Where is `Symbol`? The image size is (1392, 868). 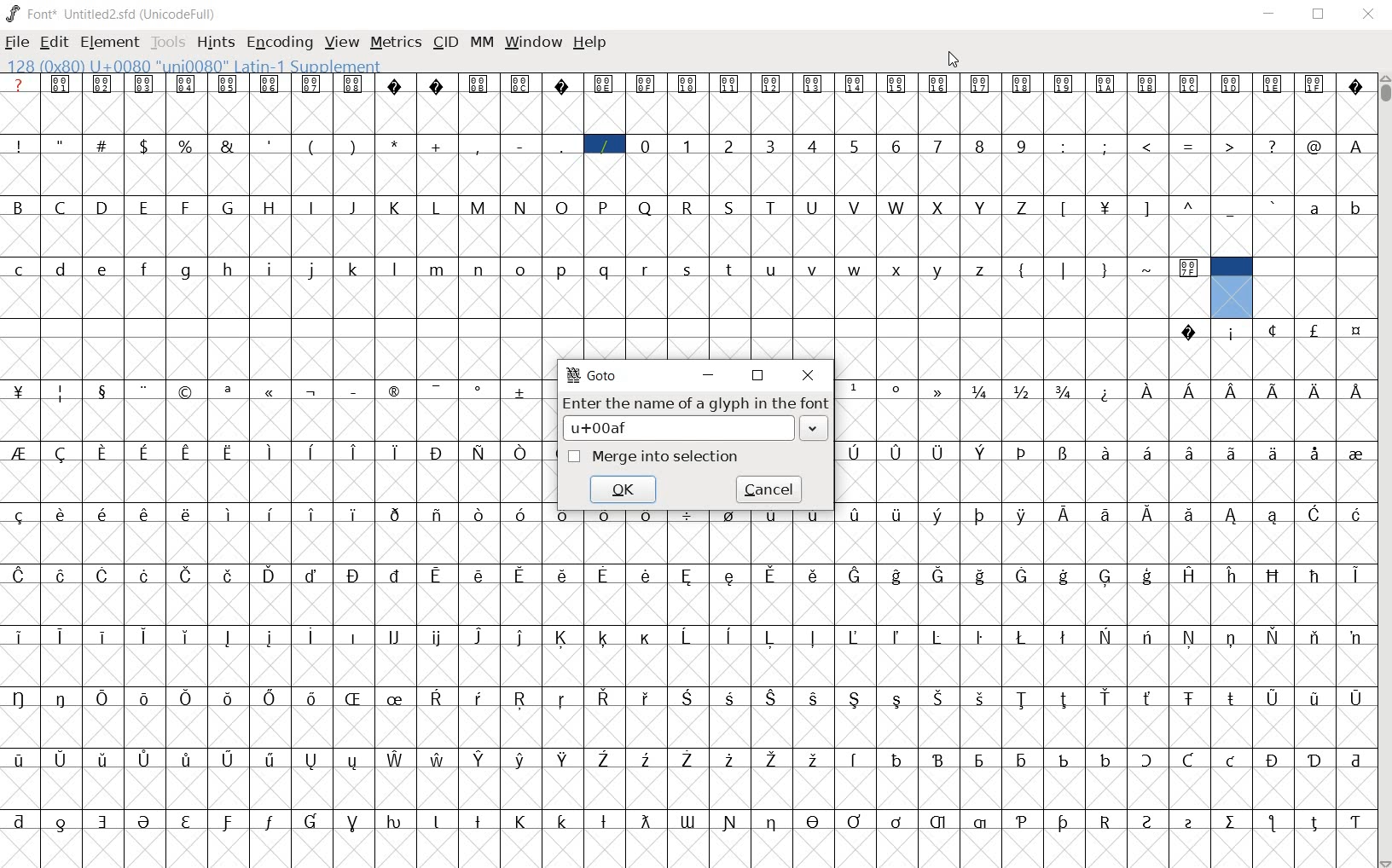
Symbol is located at coordinates (689, 574).